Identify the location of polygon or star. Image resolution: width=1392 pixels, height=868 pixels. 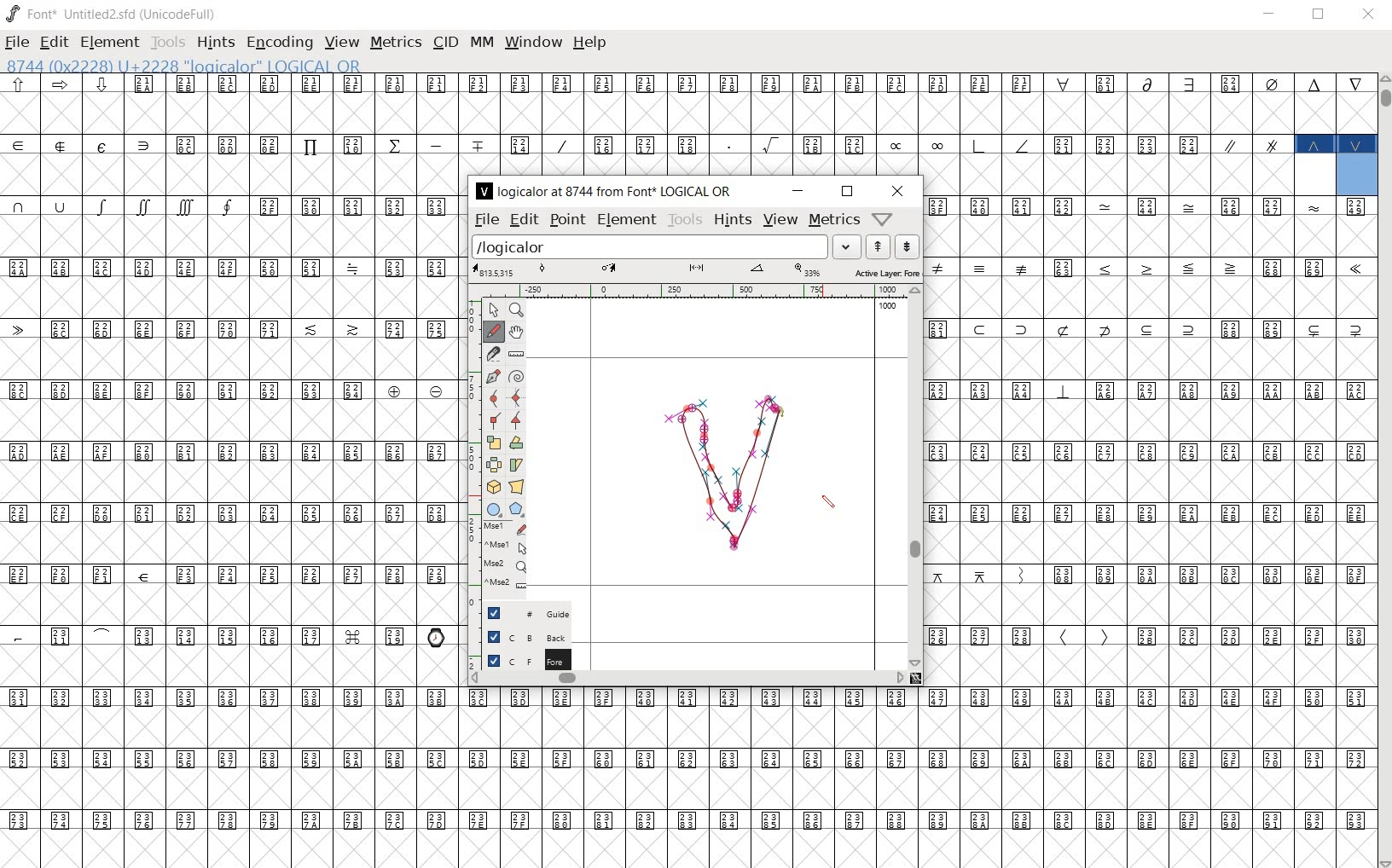
(520, 509).